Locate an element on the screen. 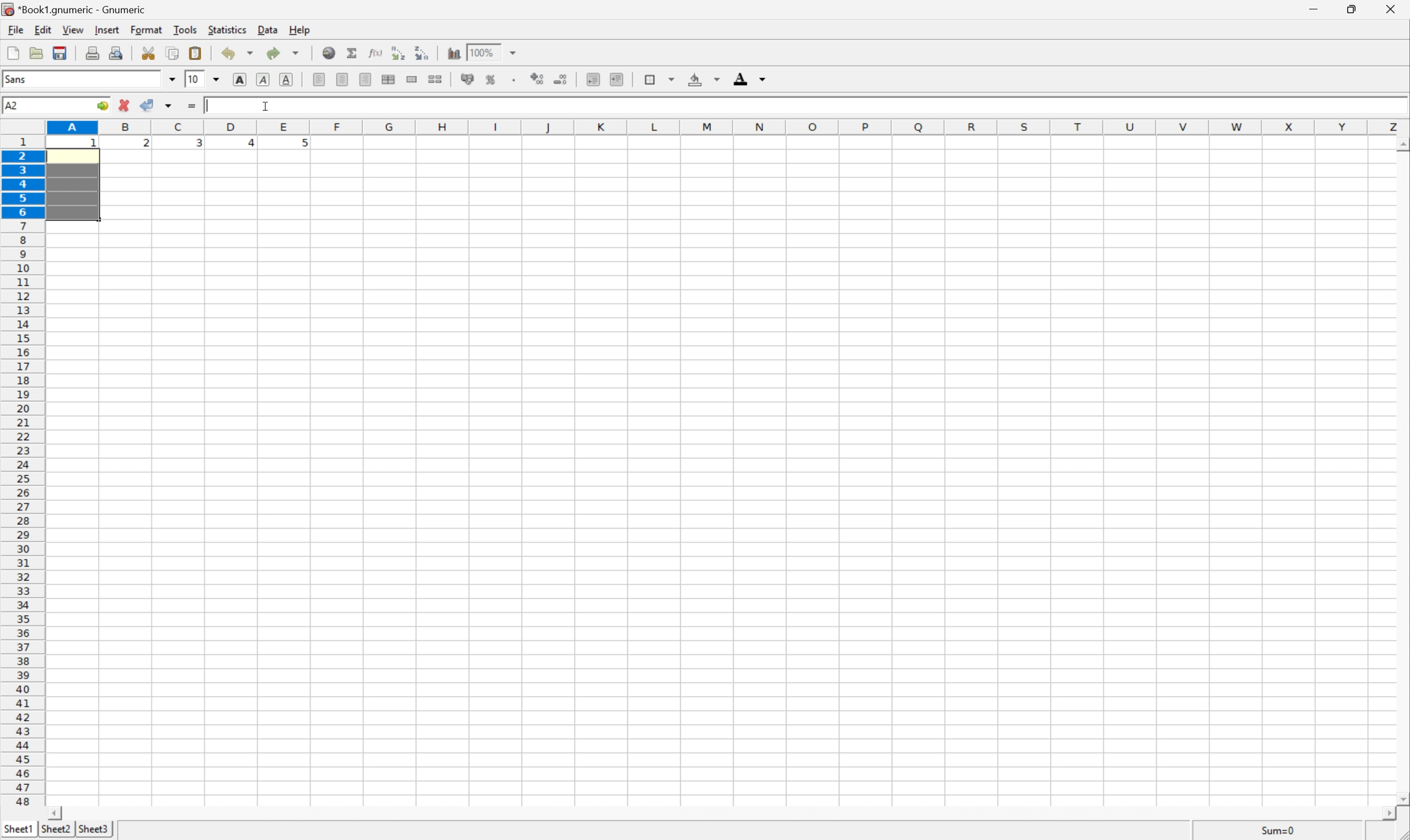  10 is located at coordinates (194, 80).